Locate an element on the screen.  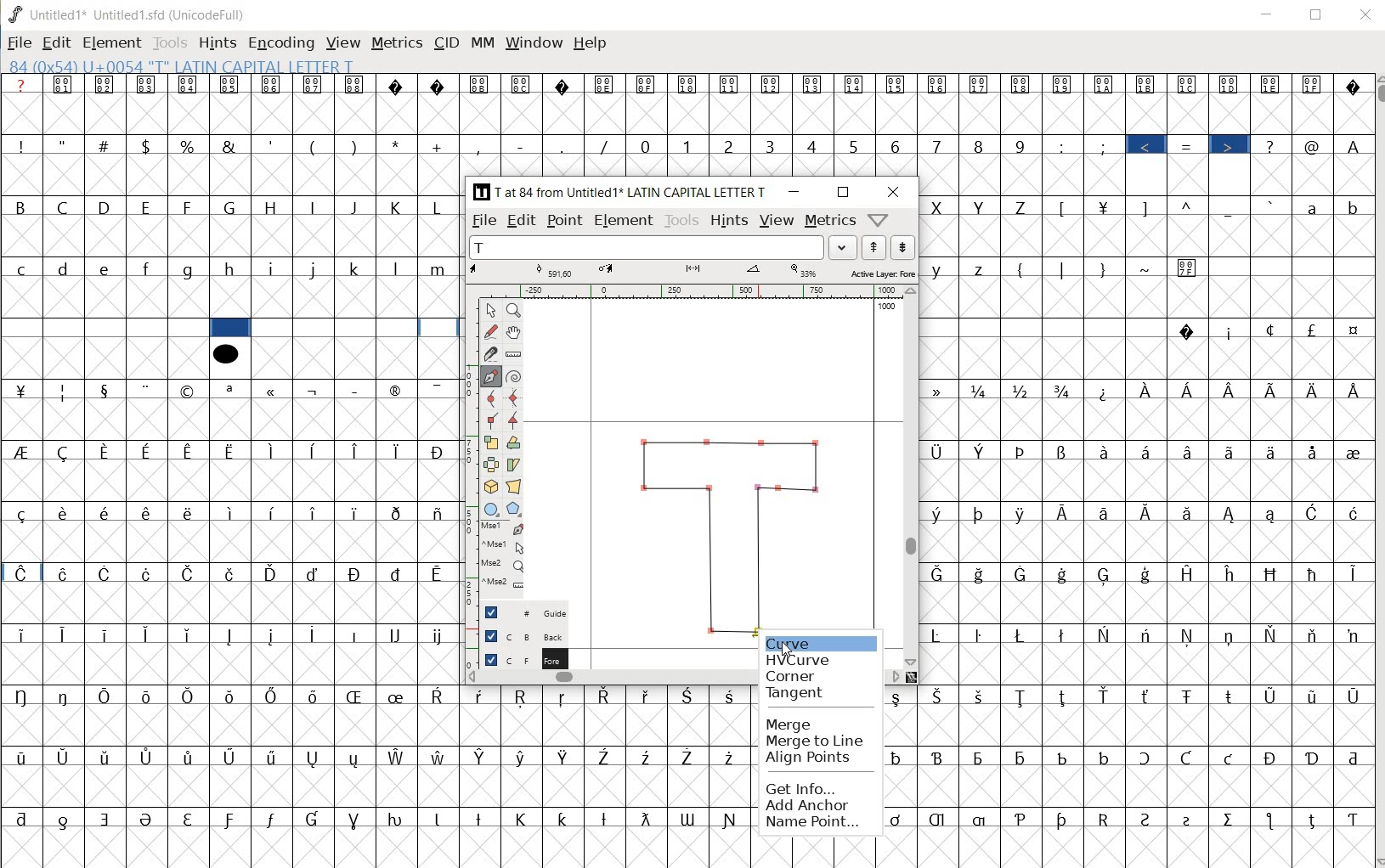
scrollbar is located at coordinates (1377, 470).